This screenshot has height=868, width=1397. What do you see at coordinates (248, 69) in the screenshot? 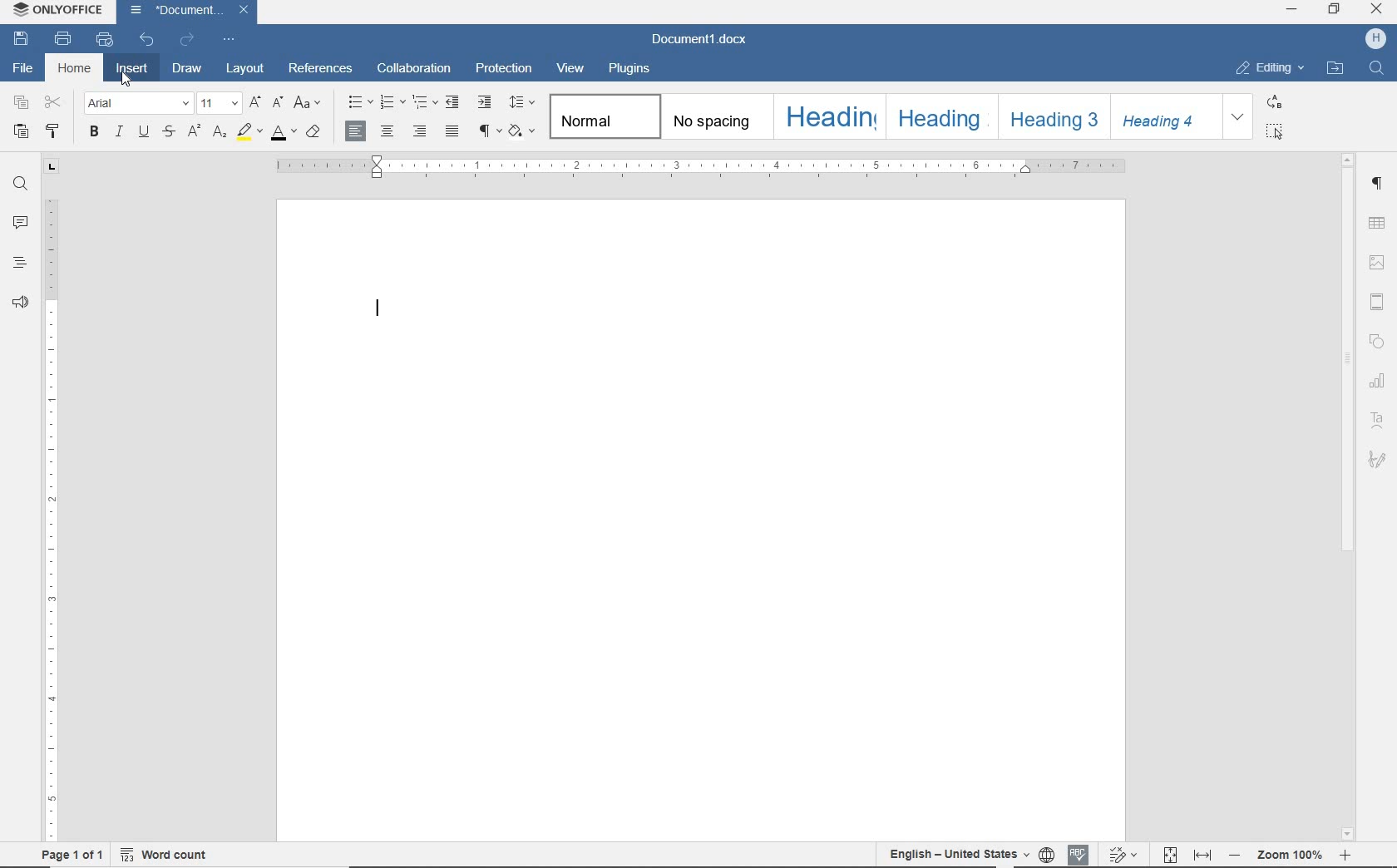
I see `layout` at bounding box center [248, 69].